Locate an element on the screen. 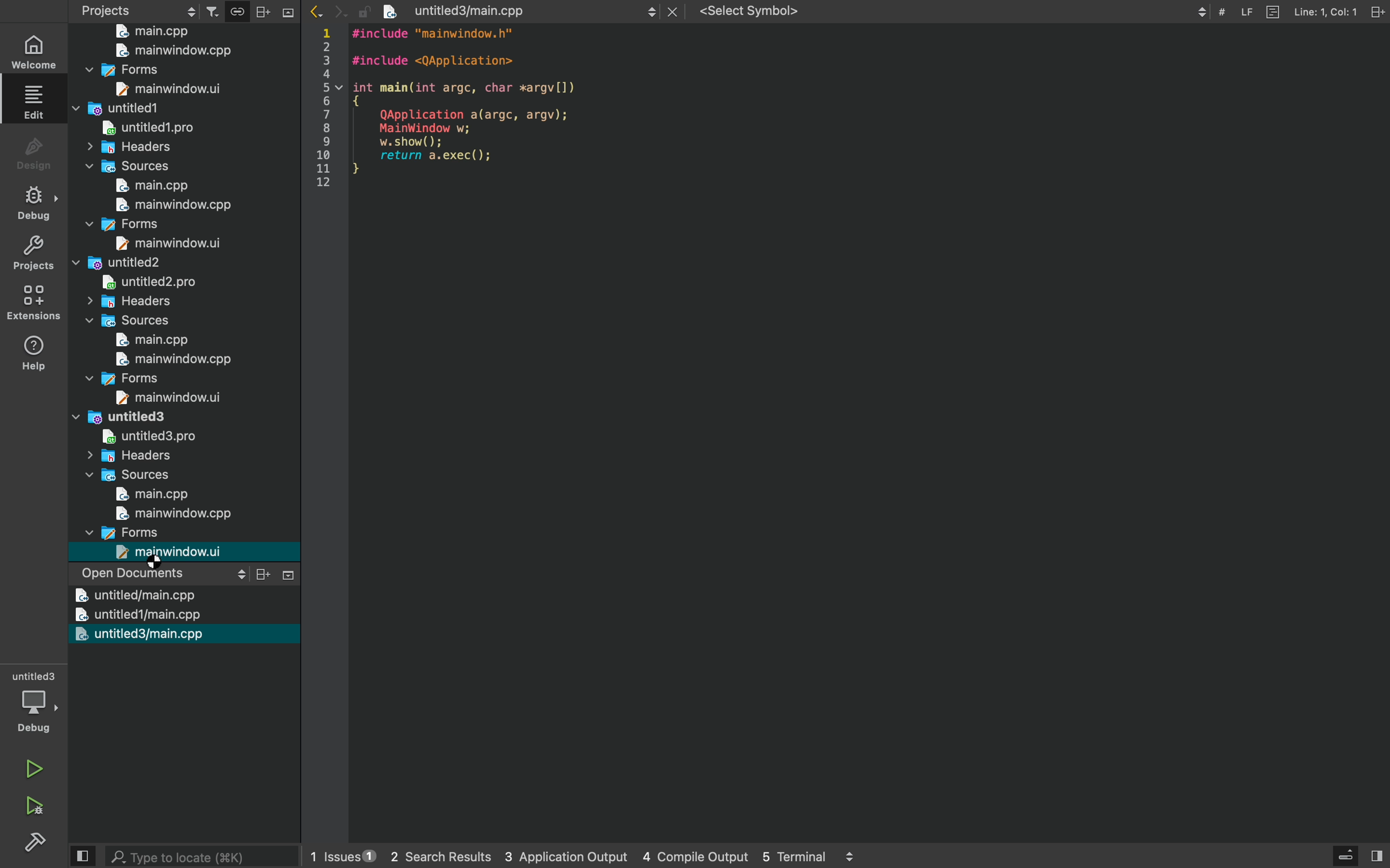 The width and height of the screenshot is (1390, 868). main is located at coordinates (171, 514).